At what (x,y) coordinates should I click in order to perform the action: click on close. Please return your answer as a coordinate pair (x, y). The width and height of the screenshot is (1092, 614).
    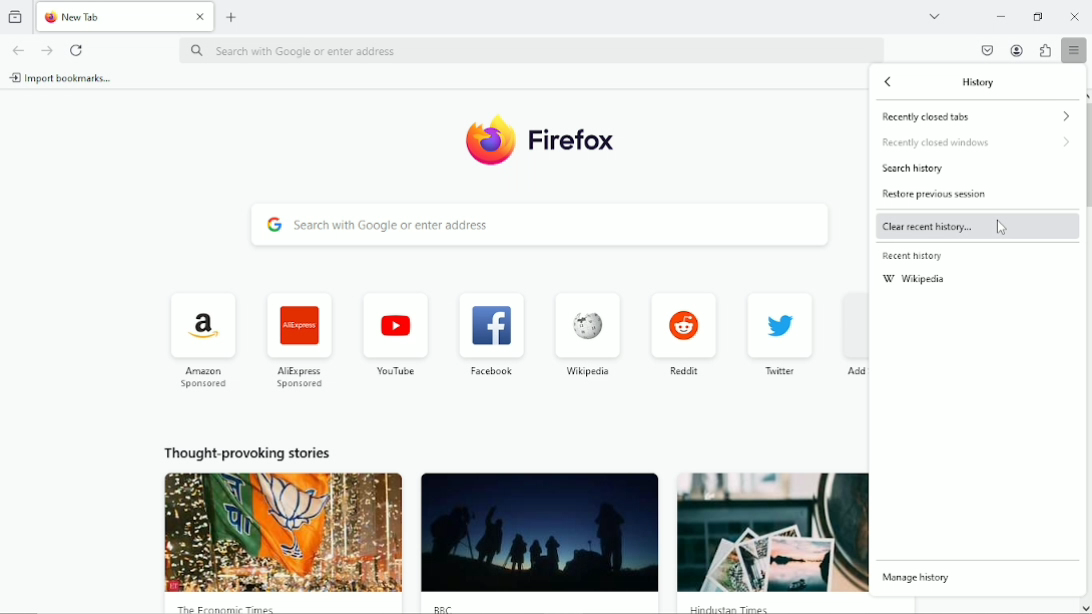
    Looking at the image, I should click on (200, 19).